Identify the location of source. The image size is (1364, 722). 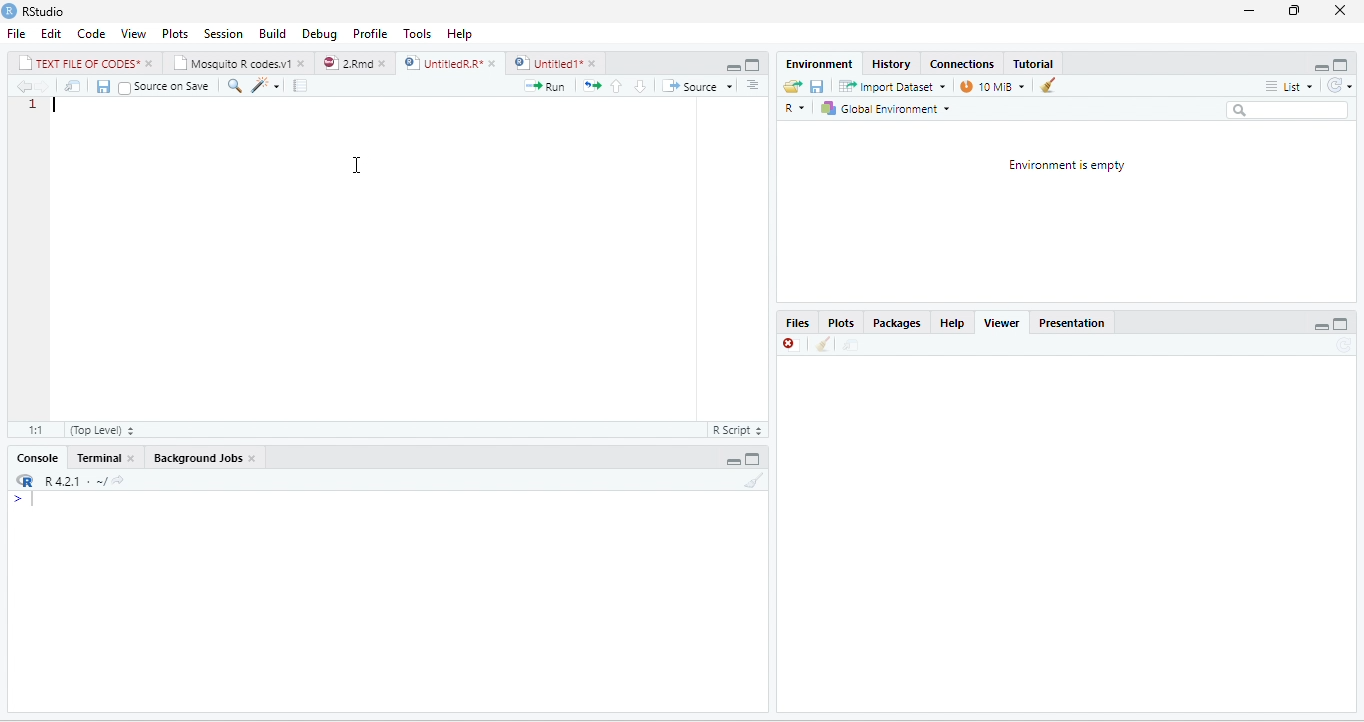
(688, 87).